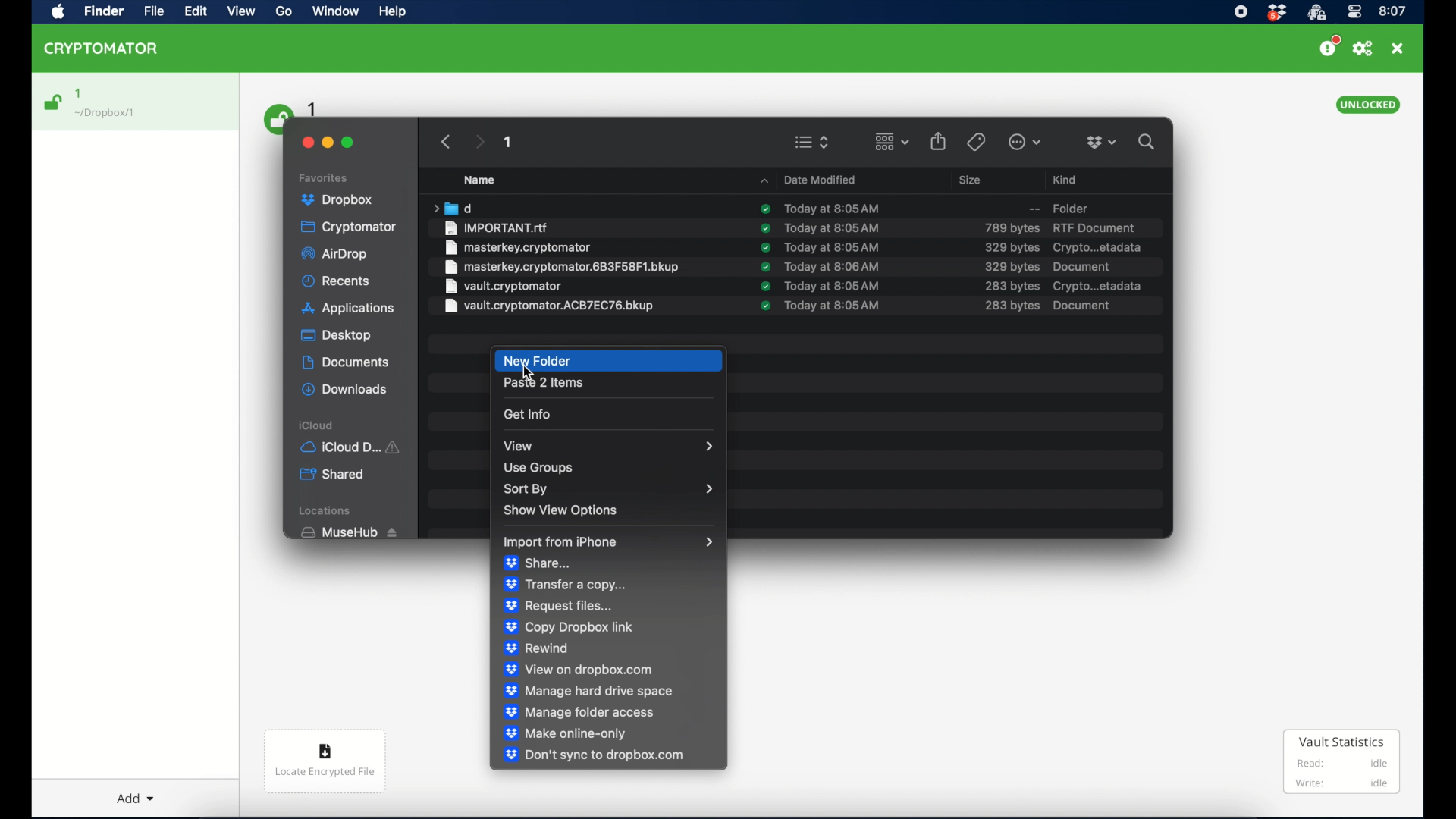 The height and width of the screenshot is (819, 1456). What do you see at coordinates (325, 176) in the screenshot?
I see `favorites` at bounding box center [325, 176].